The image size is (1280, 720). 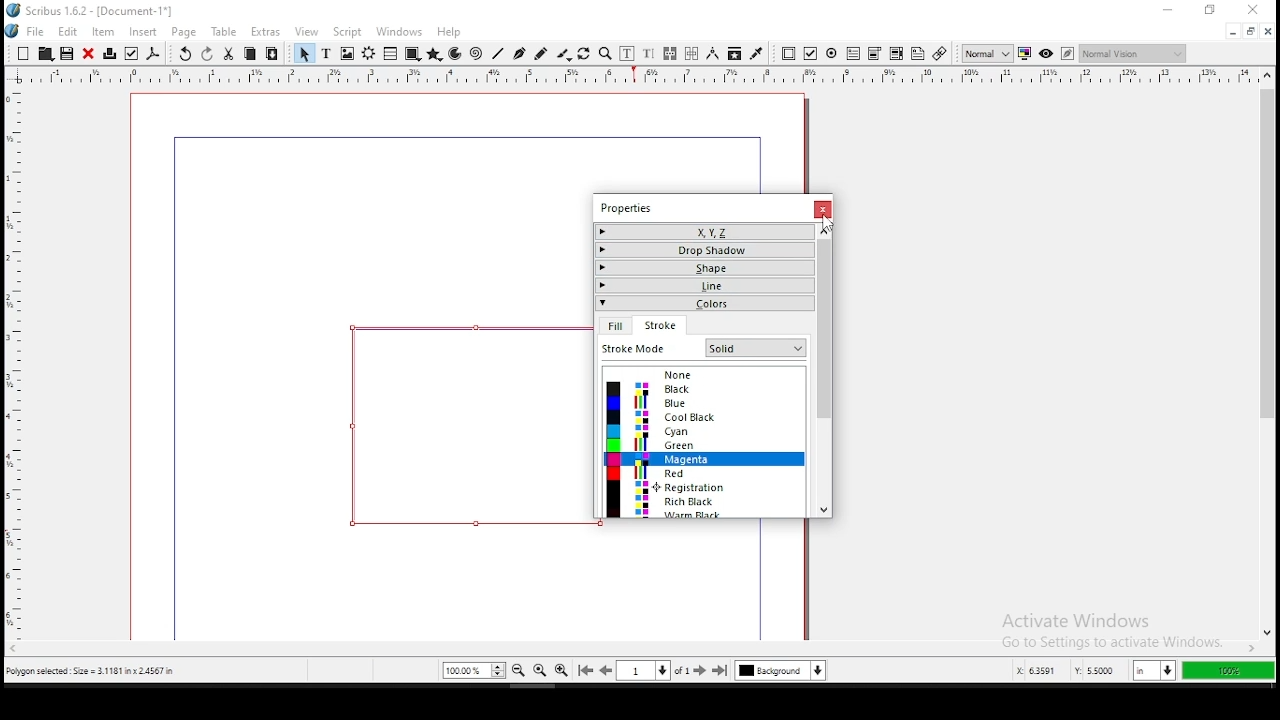 What do you see at coordinates (810, 54) in the screenshot?
I see `pdf checkbox` at bounding box center [810, 54].